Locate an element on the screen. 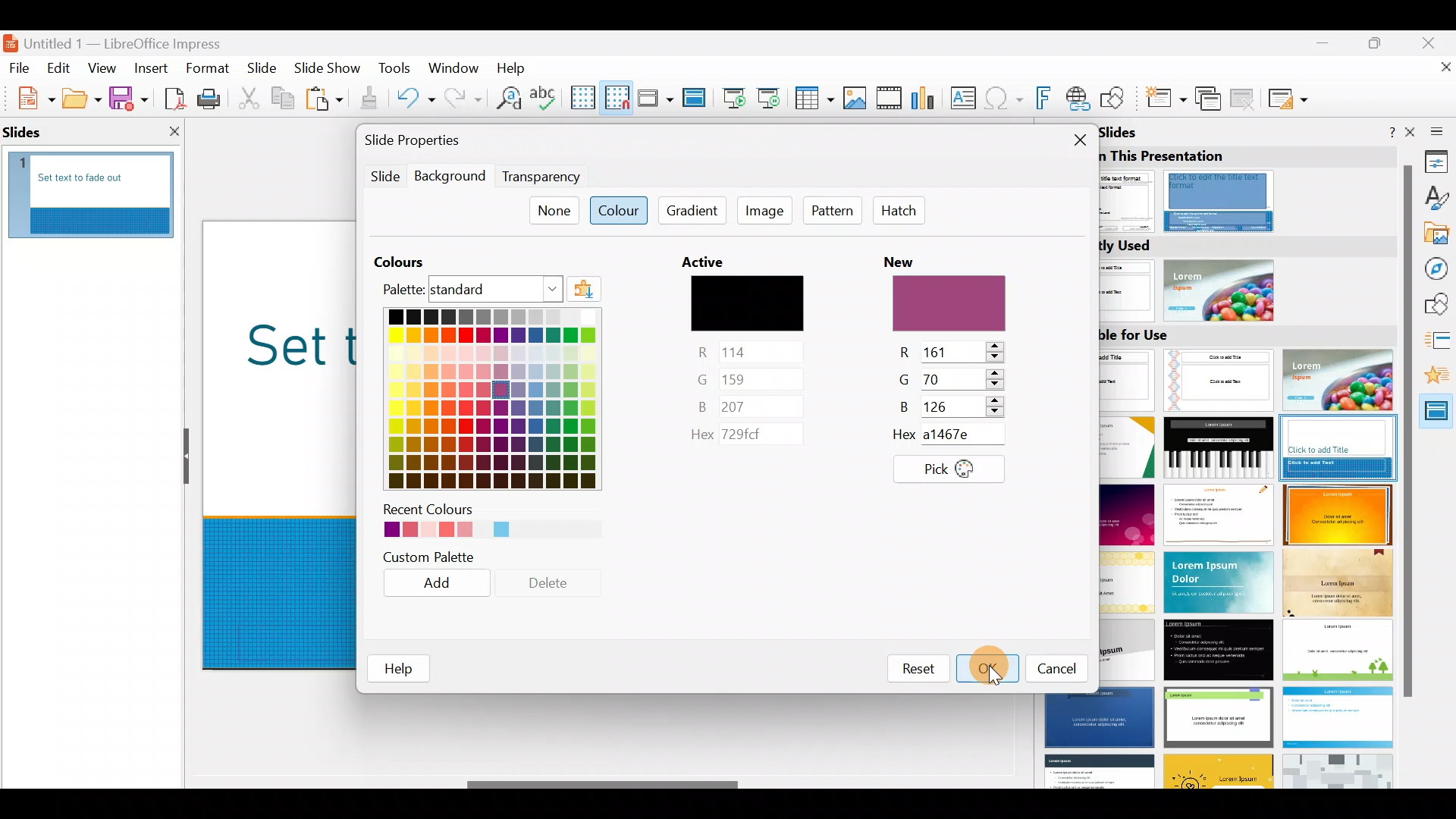 This screenshot has width=1456, height=819. Pick is located at coordinates (949, 469).